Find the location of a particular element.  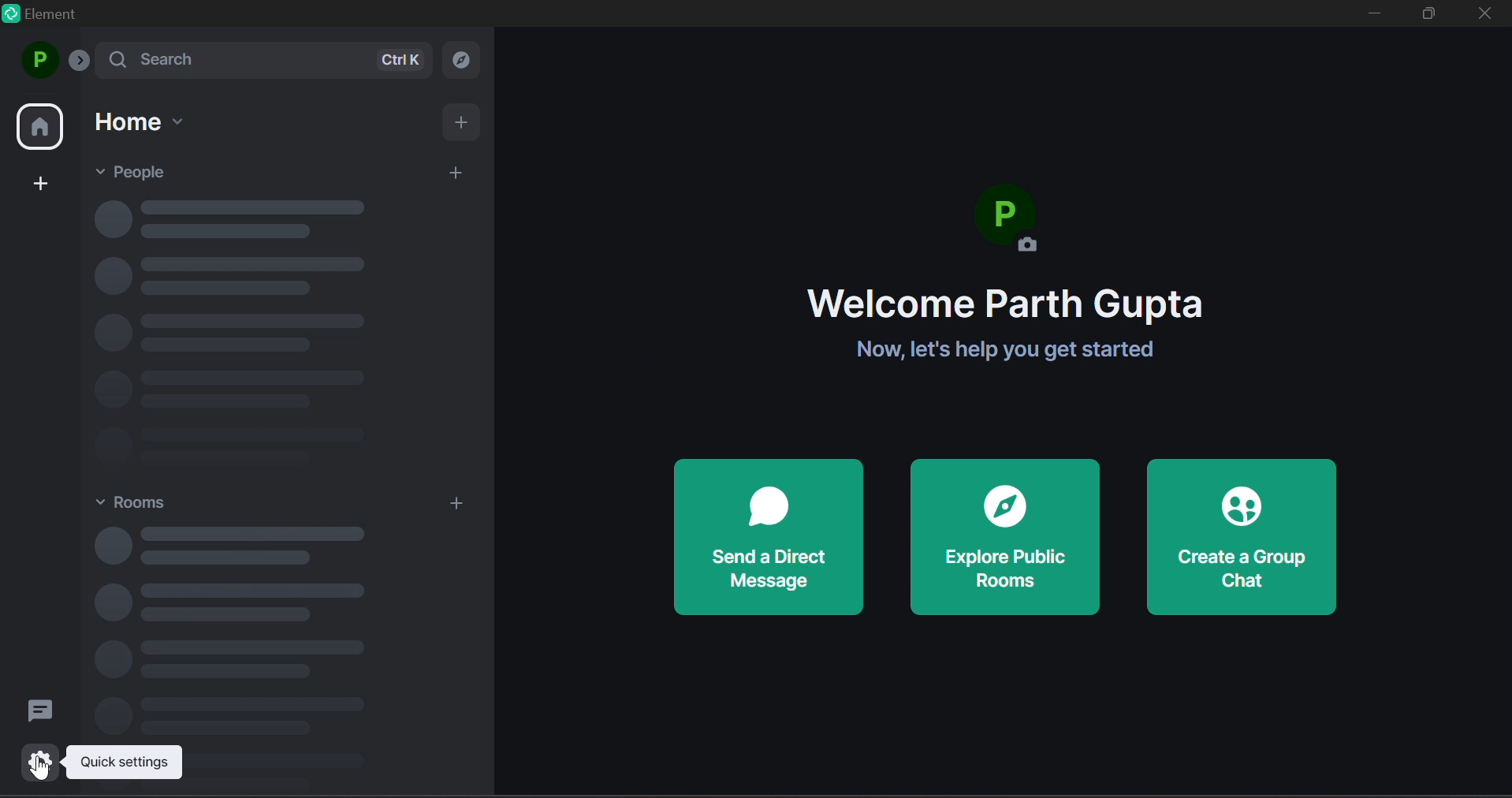

message is located at coordinates (37, 709).